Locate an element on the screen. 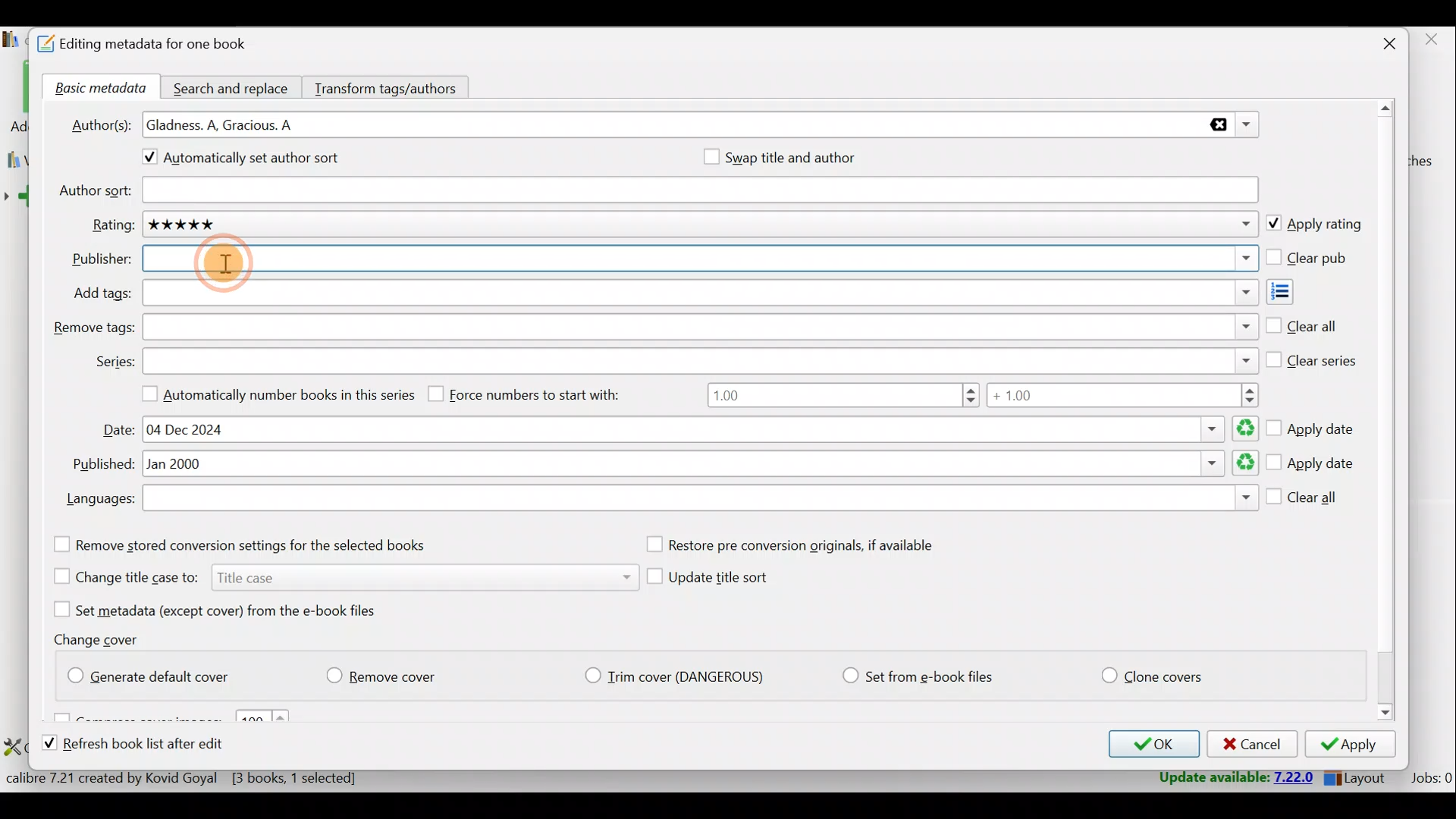  Remove cover is located at coordinates (391, 673).